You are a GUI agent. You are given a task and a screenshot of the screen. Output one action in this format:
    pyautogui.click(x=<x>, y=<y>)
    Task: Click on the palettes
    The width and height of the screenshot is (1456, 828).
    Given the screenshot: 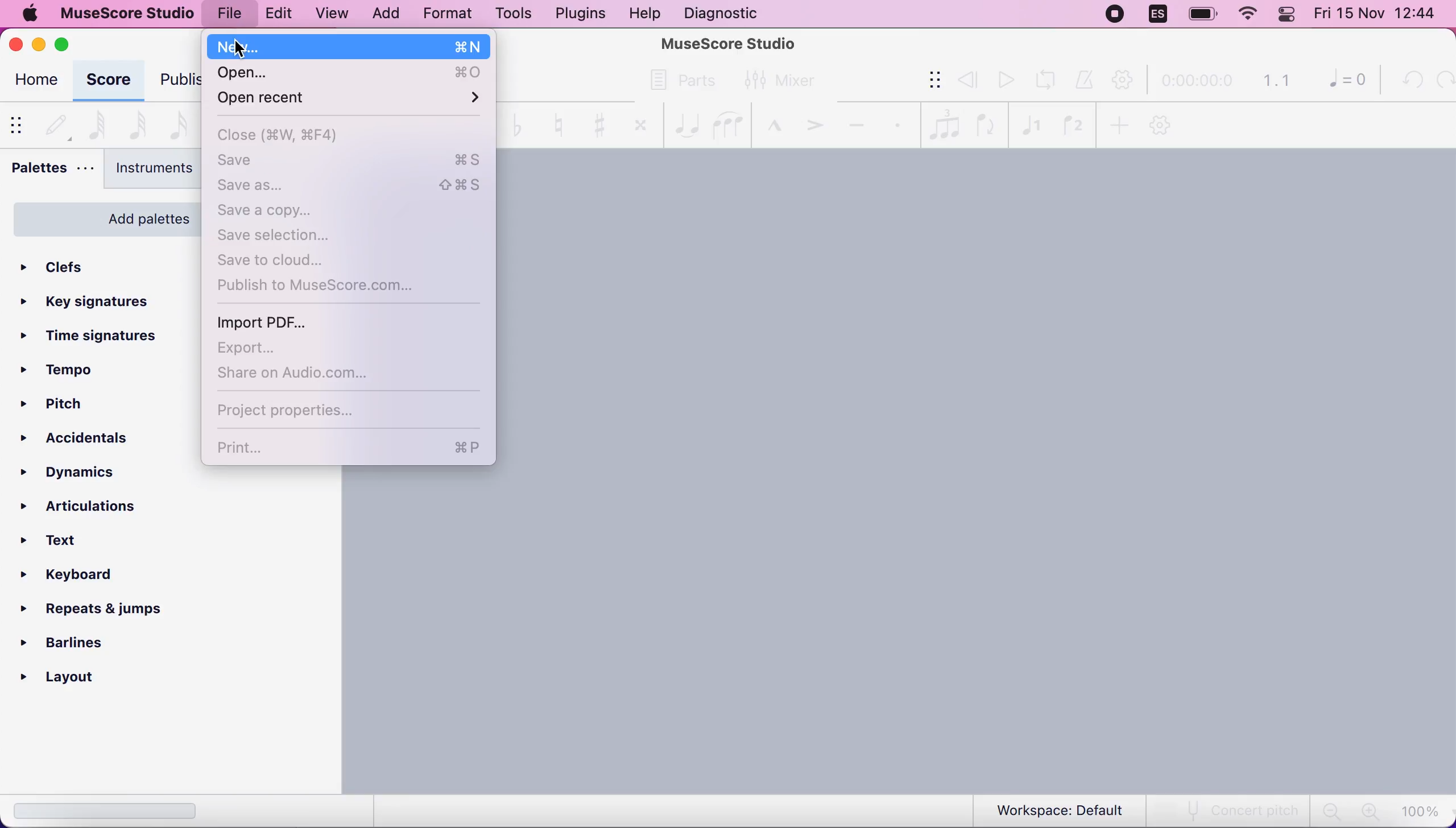 What is the action you would take?
    pyautogui.click(x=51, y=171)
    